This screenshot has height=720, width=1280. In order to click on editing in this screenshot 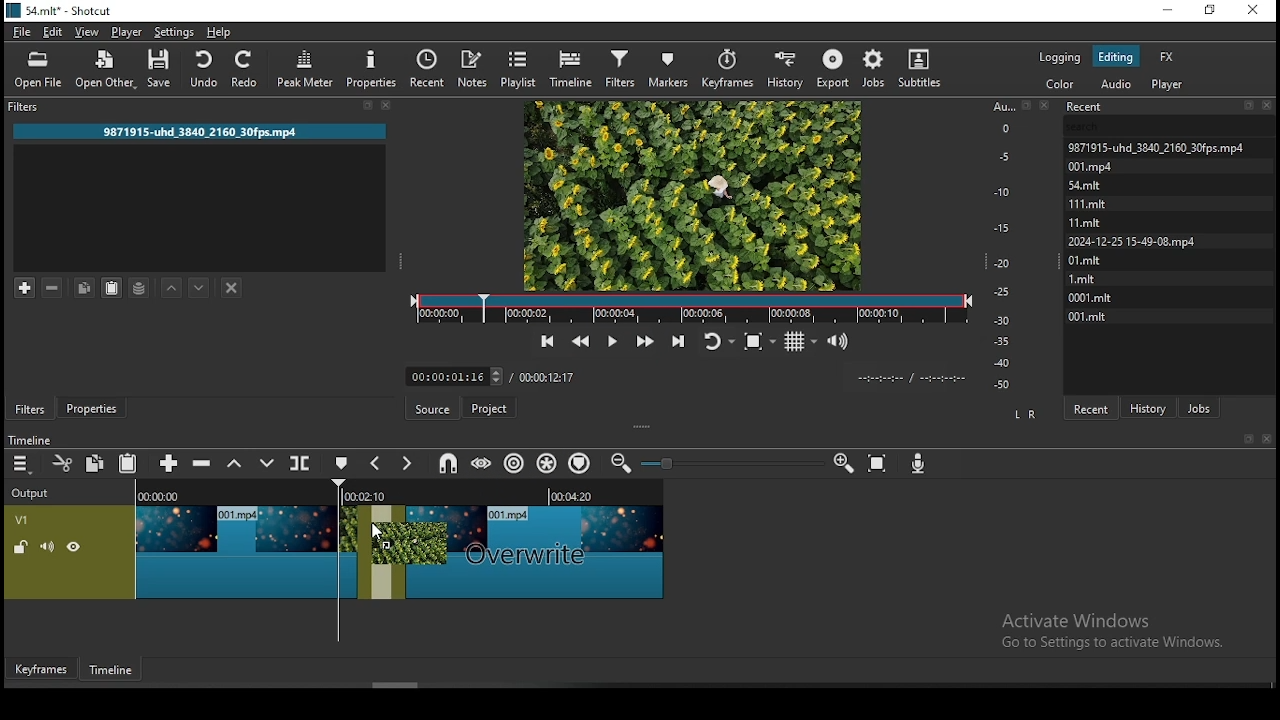, I will do `click(1115, 55)`.